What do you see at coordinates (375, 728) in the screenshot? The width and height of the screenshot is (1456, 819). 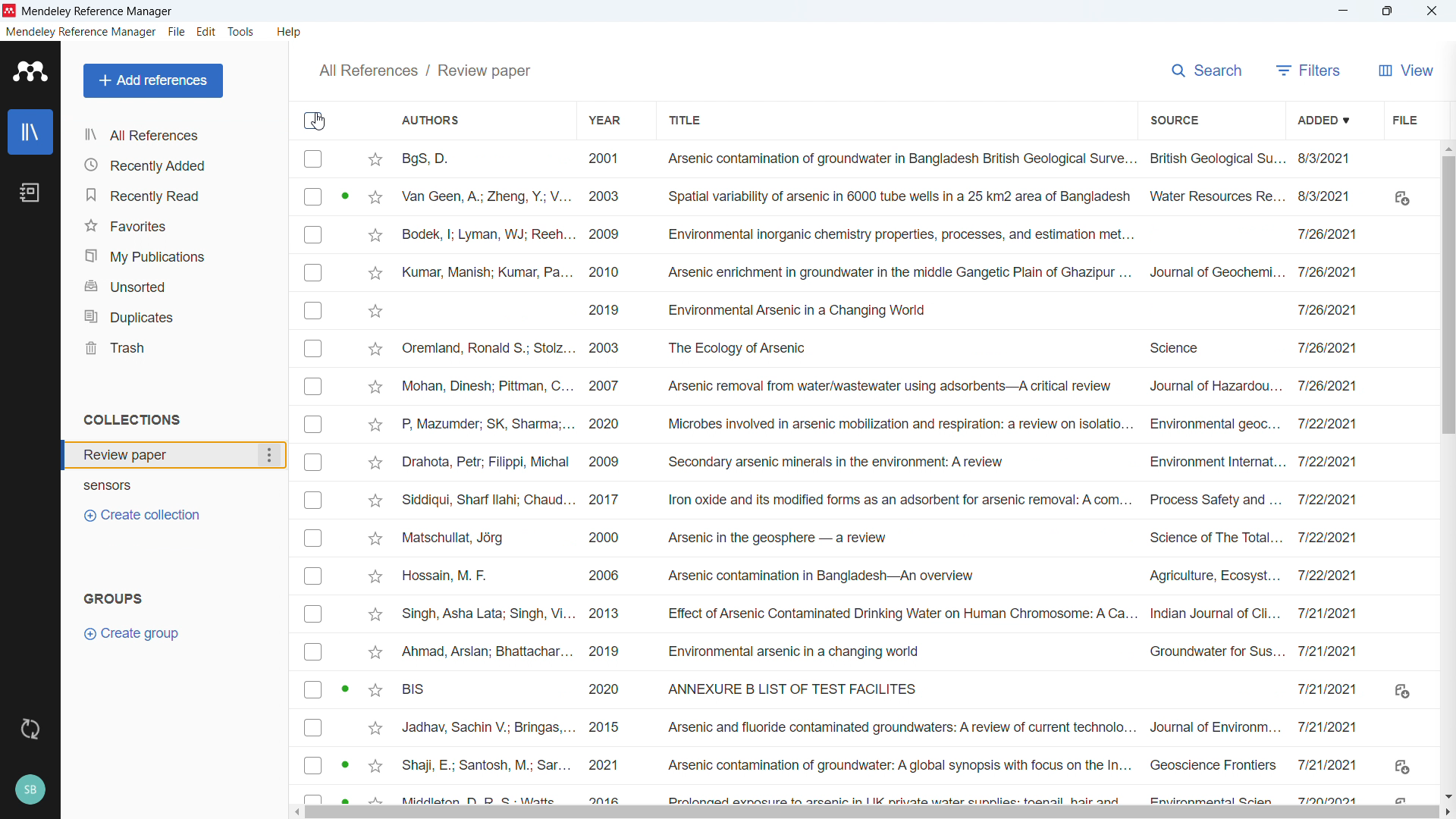 I see `Star mark respective publication` at bounding box center [375, 728].